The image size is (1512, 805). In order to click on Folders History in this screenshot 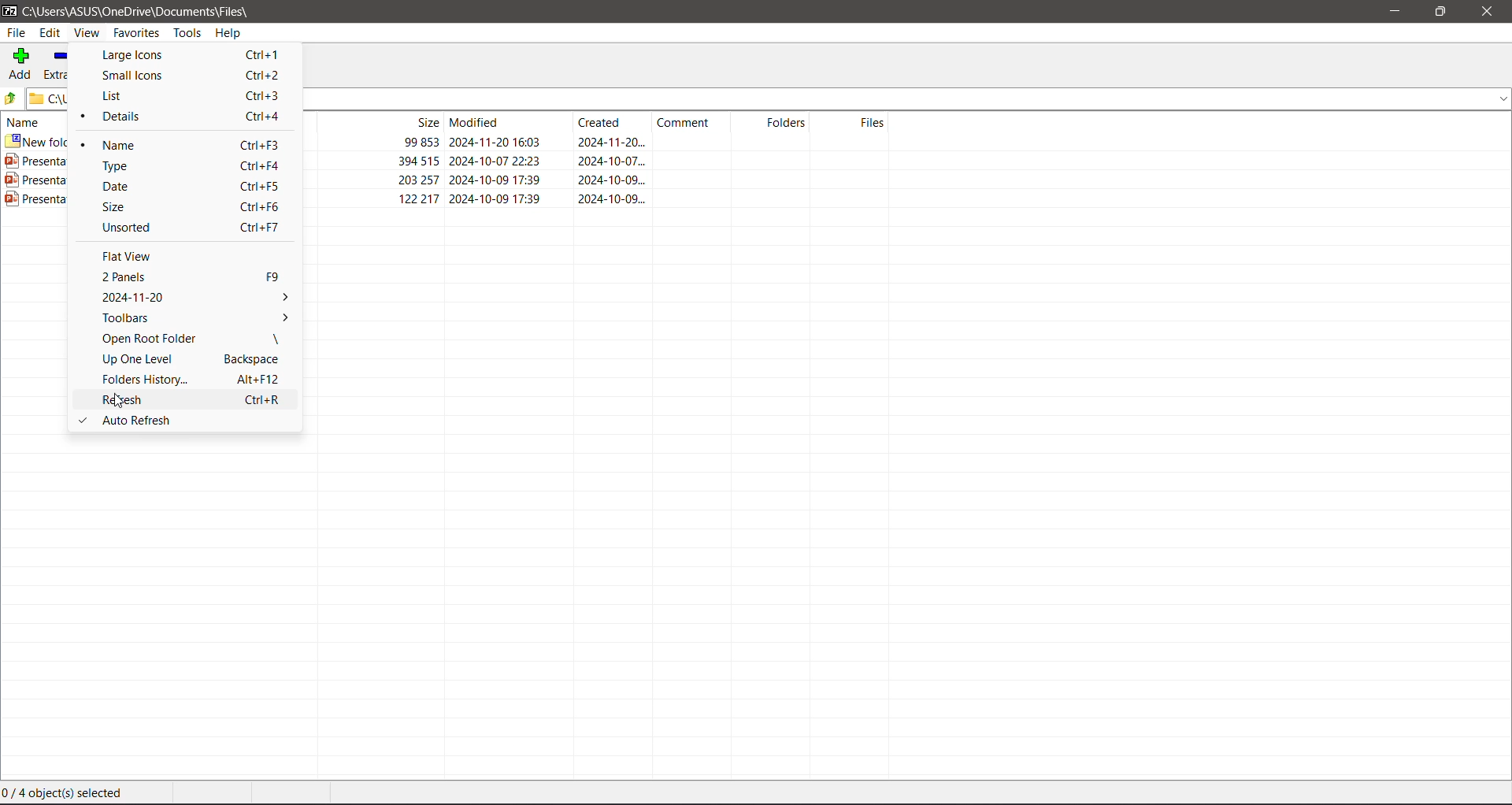, I will do `click(146, 378)`.